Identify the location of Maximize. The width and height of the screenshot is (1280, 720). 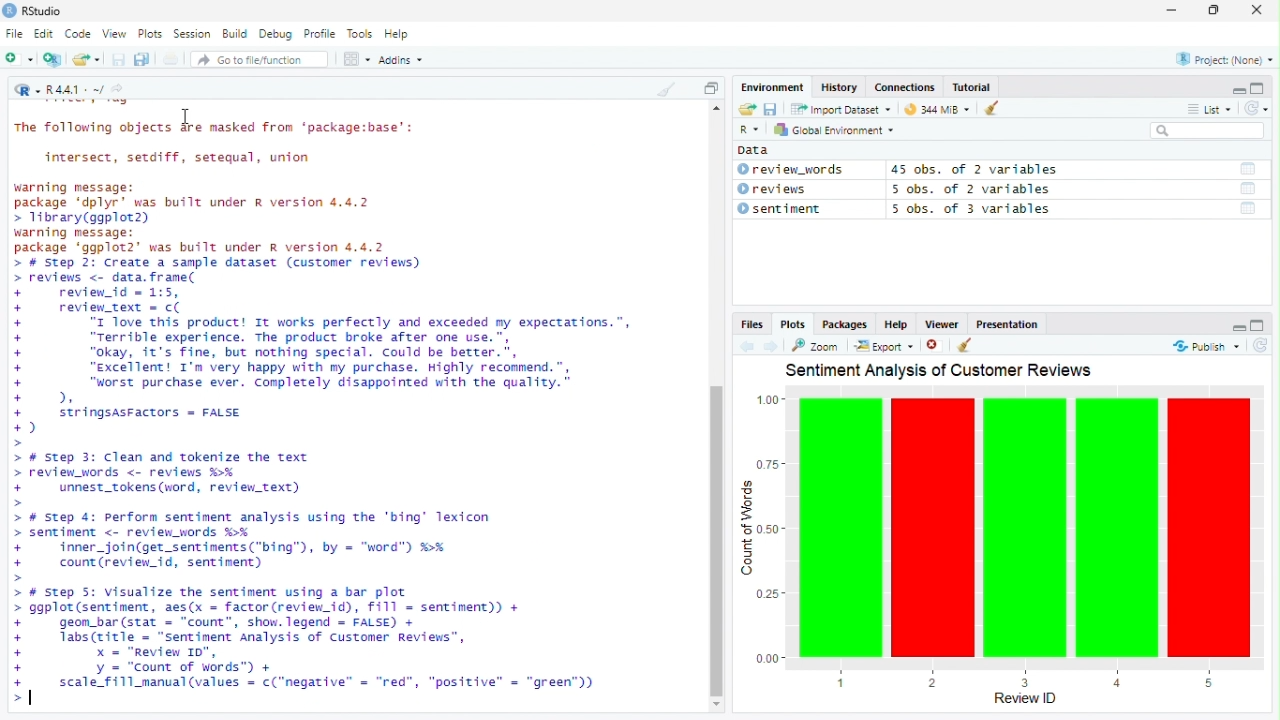
(1259, 325).